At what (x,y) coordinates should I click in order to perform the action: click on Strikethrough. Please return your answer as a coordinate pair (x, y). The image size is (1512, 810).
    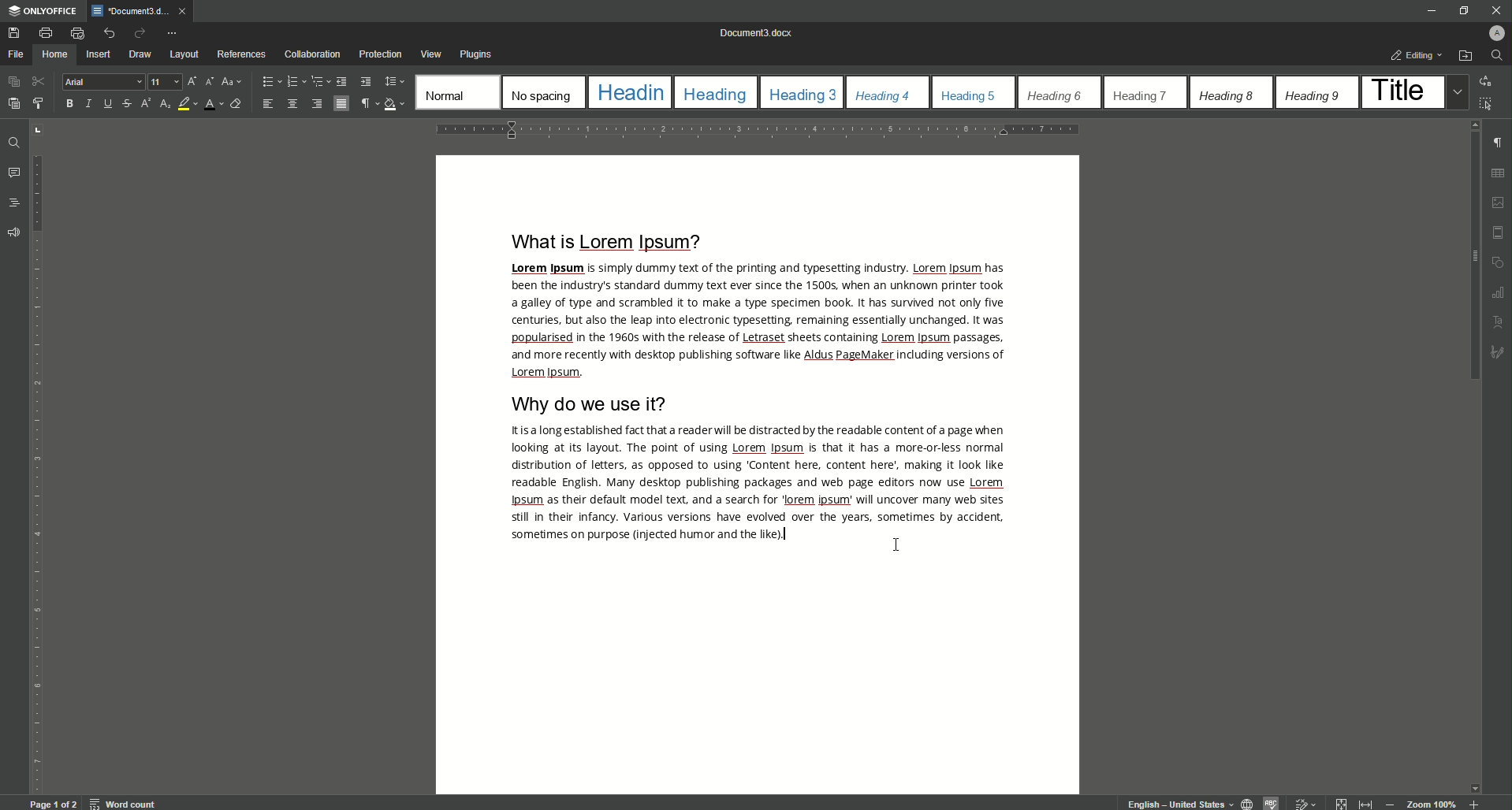
    Looking at the image, I should click on (125, 104).